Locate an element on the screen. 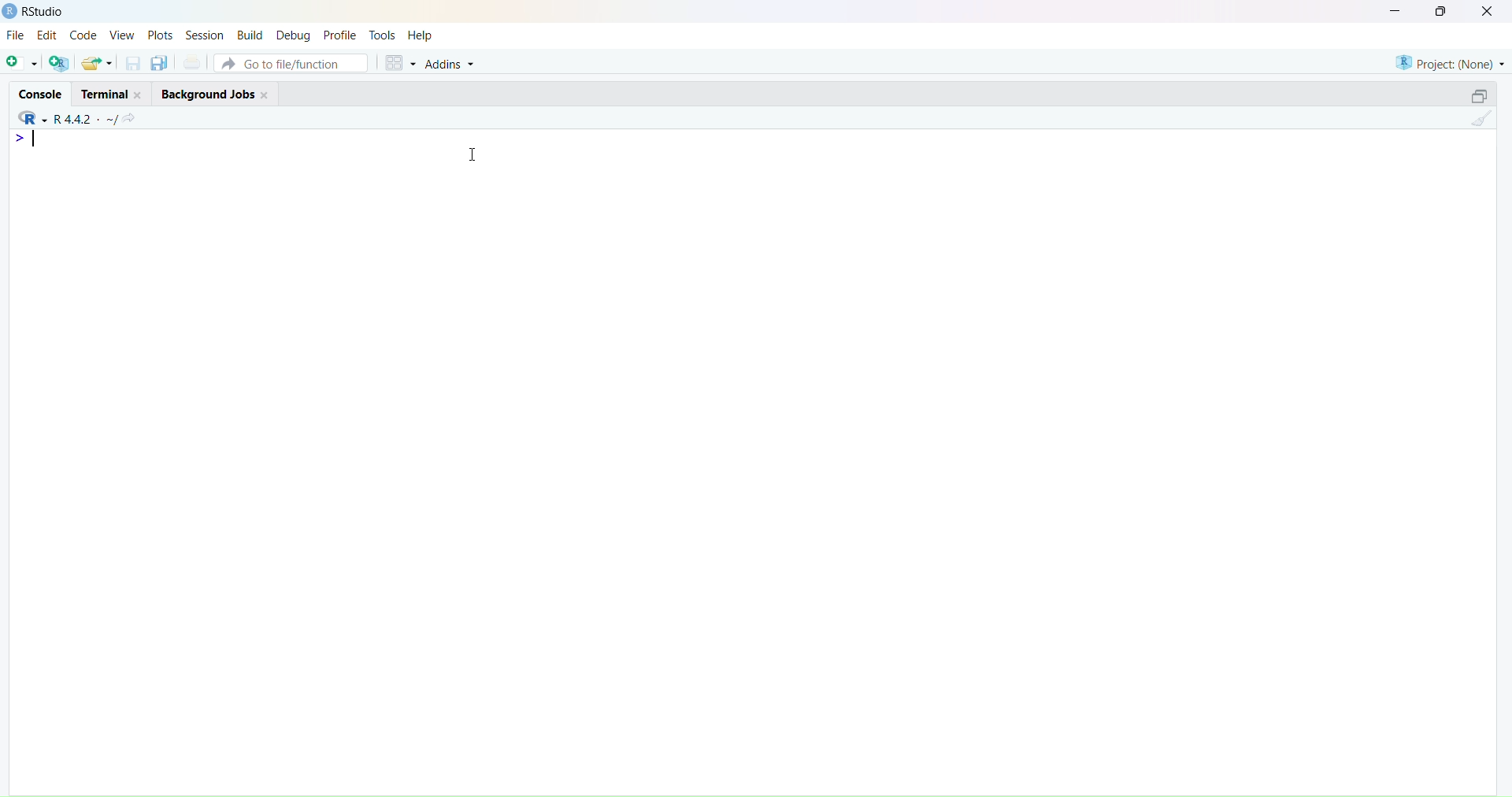 The width and height of the screenshot is (1512, 797). terminal is located at coordinates (106, 94).